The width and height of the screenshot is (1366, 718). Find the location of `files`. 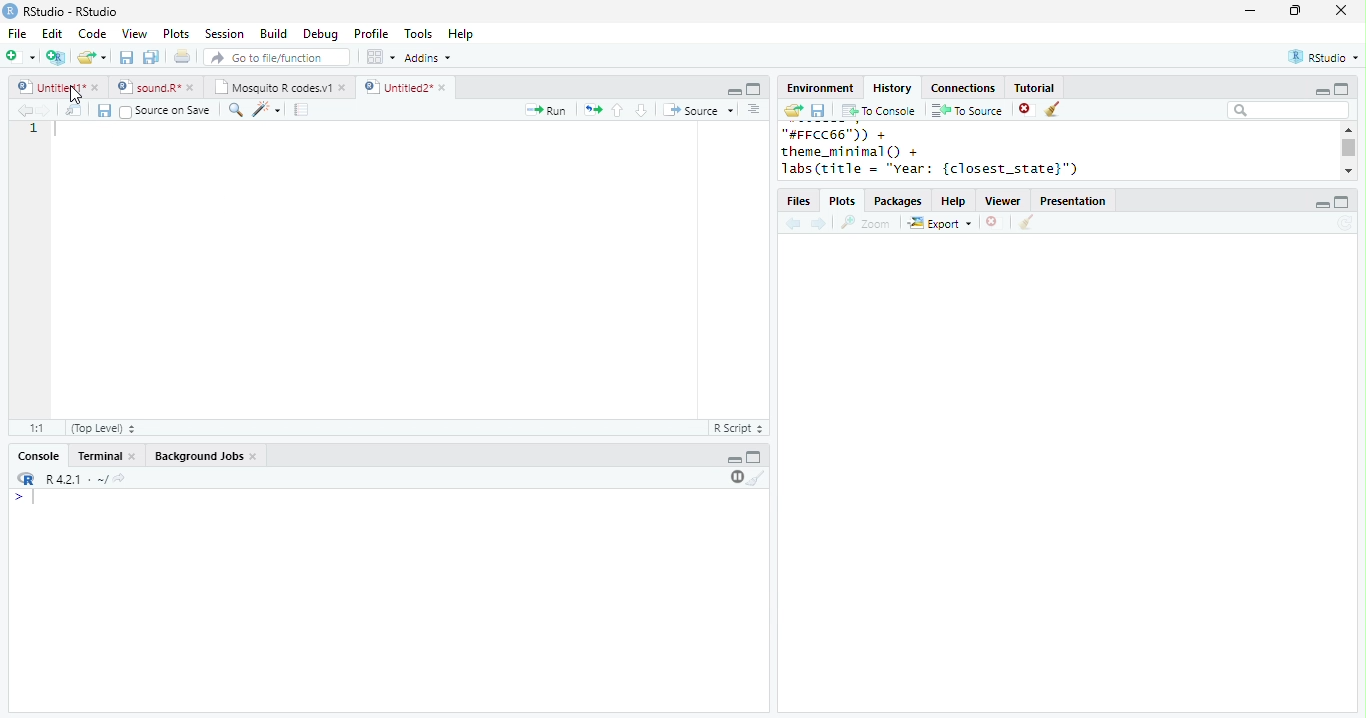

files is located at coordinates (800, 202).